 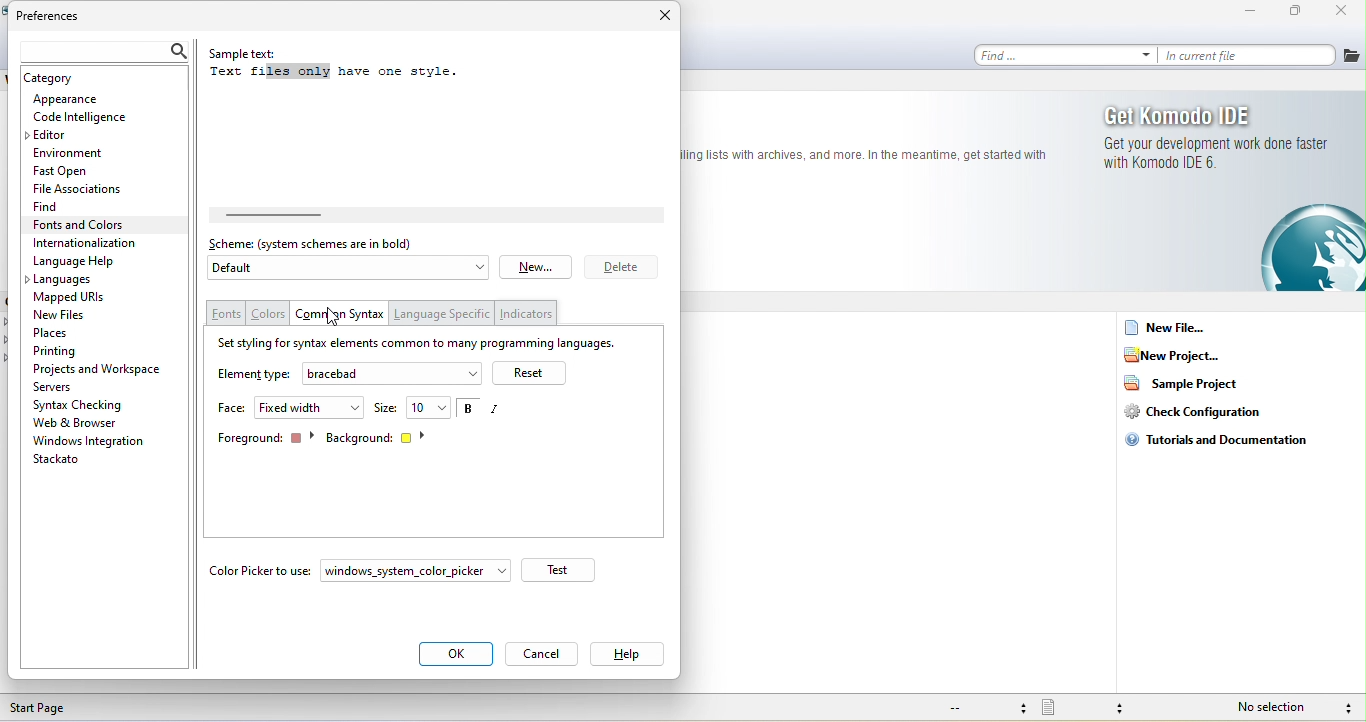 What do you see at coordinates (268, 315) in the screenshot?
I see `colors` at bounding box center [268, 315].